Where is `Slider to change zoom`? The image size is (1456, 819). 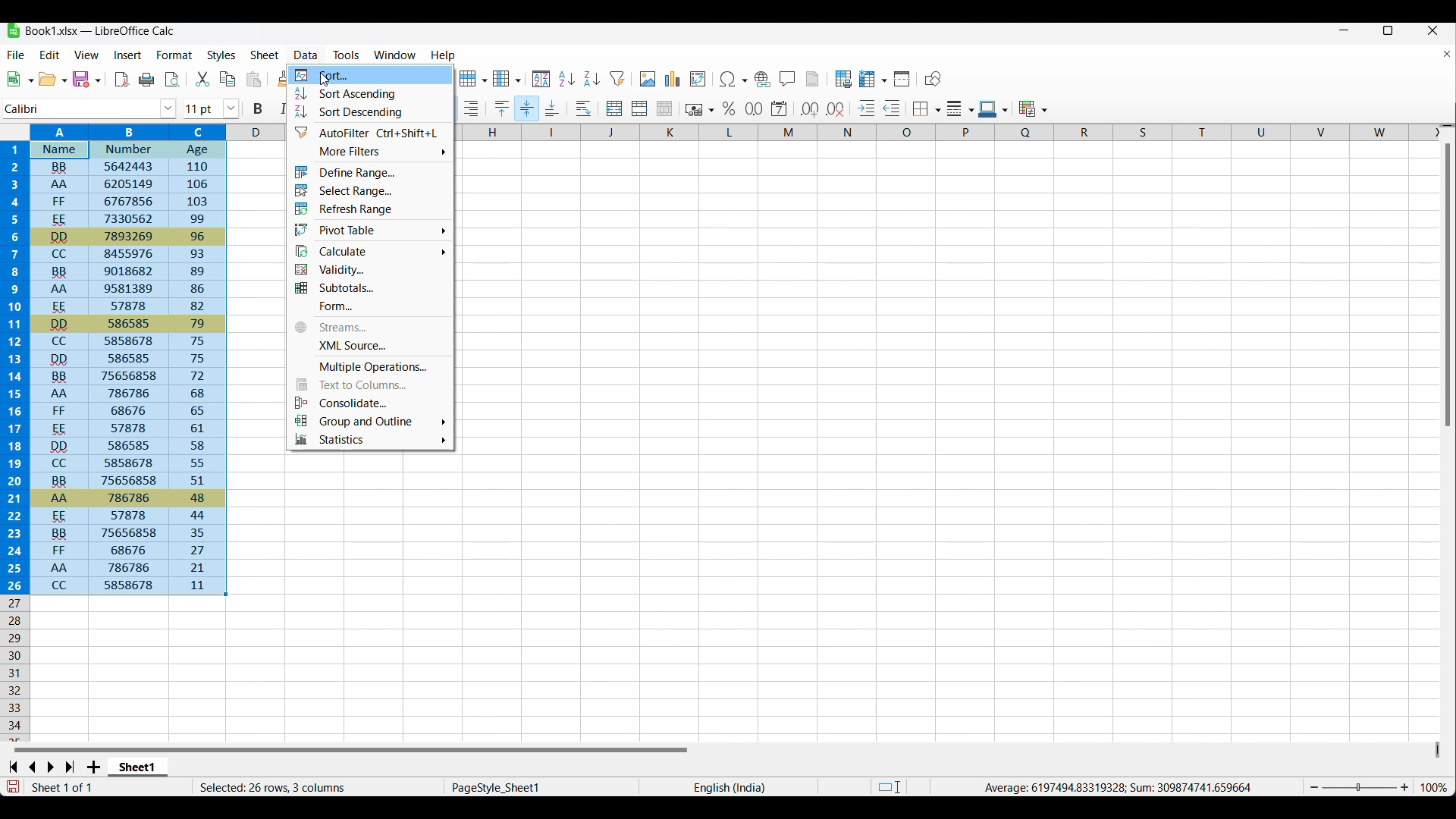
Slider to change zoom is located at coordinates (1359, 788).